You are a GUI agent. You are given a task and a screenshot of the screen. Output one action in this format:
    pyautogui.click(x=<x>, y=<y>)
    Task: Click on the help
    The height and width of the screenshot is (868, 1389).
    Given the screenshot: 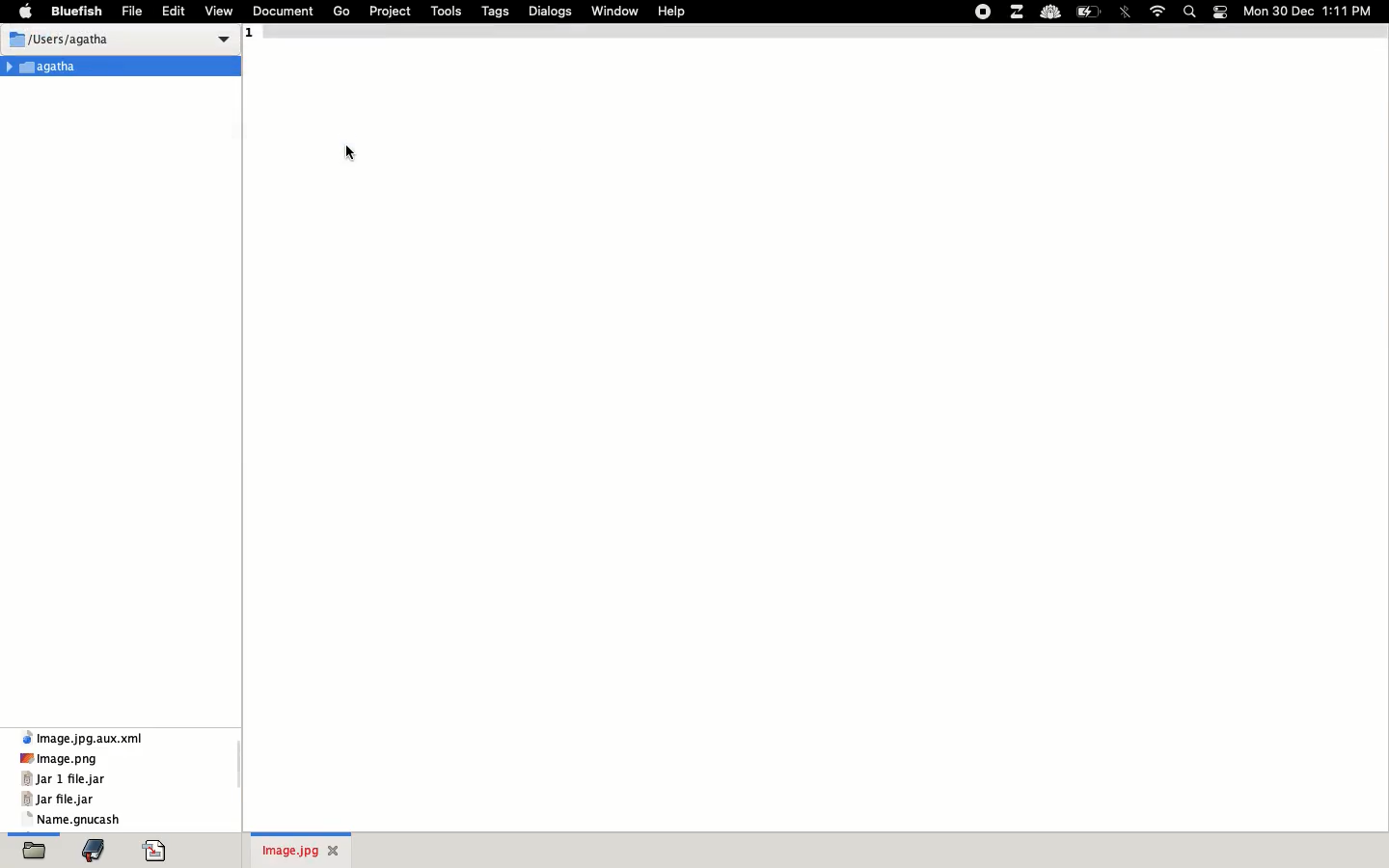 What is the action you would take?
    pyautogui.click(x=674, y=12)
    